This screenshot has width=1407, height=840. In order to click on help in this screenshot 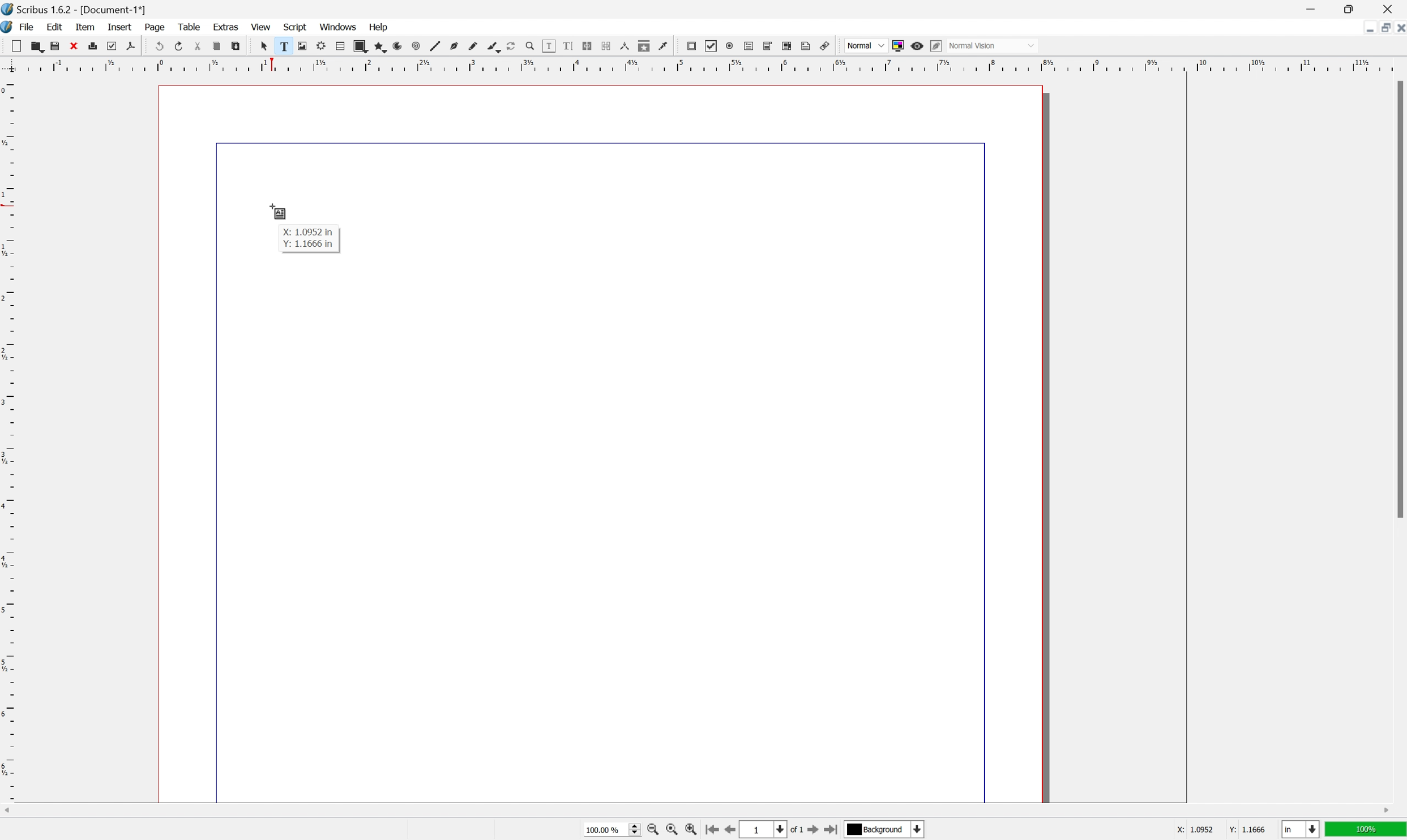, I will do `click(379, 26)`.